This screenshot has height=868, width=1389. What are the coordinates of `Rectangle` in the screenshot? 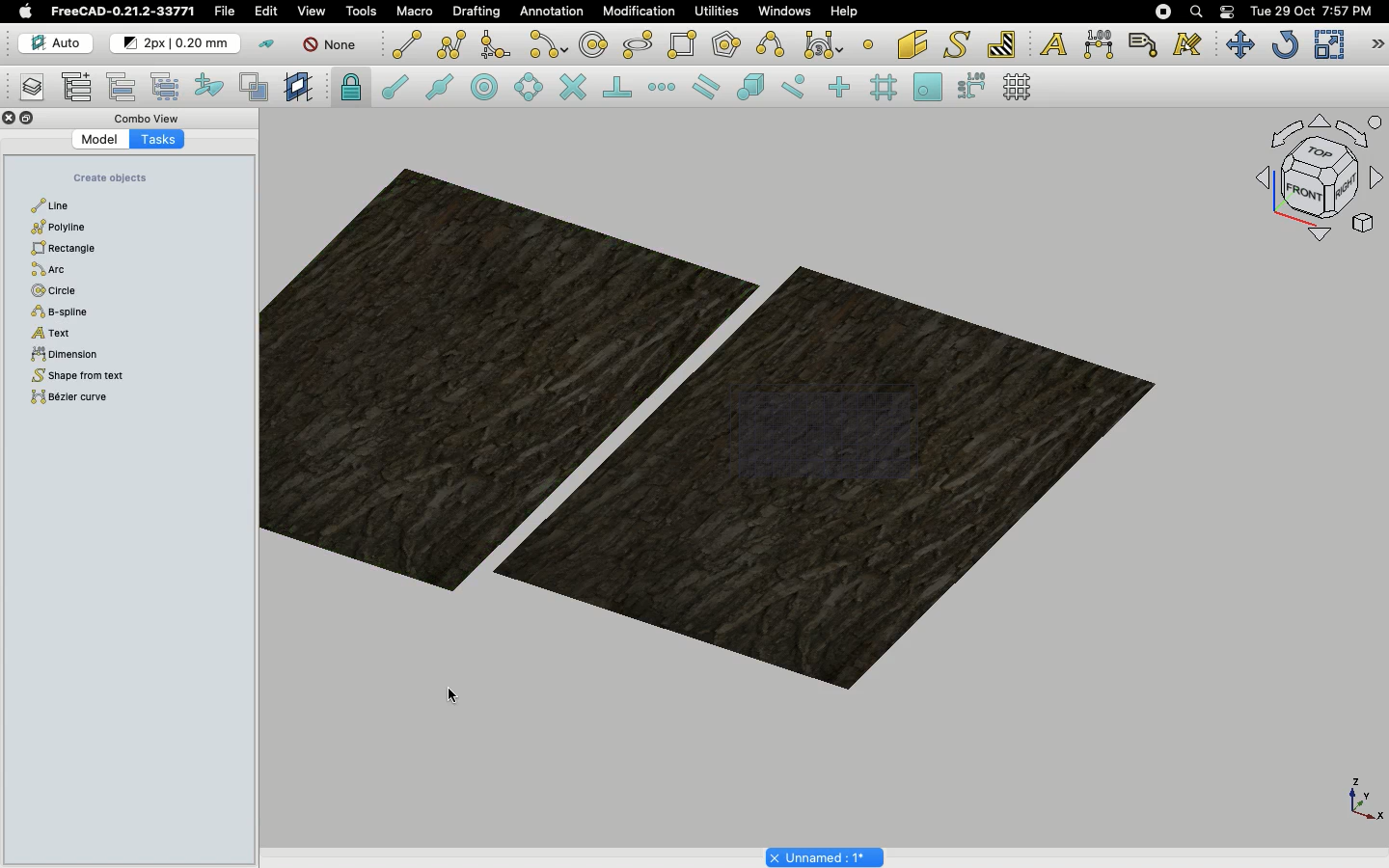 It's located at (686, 45).